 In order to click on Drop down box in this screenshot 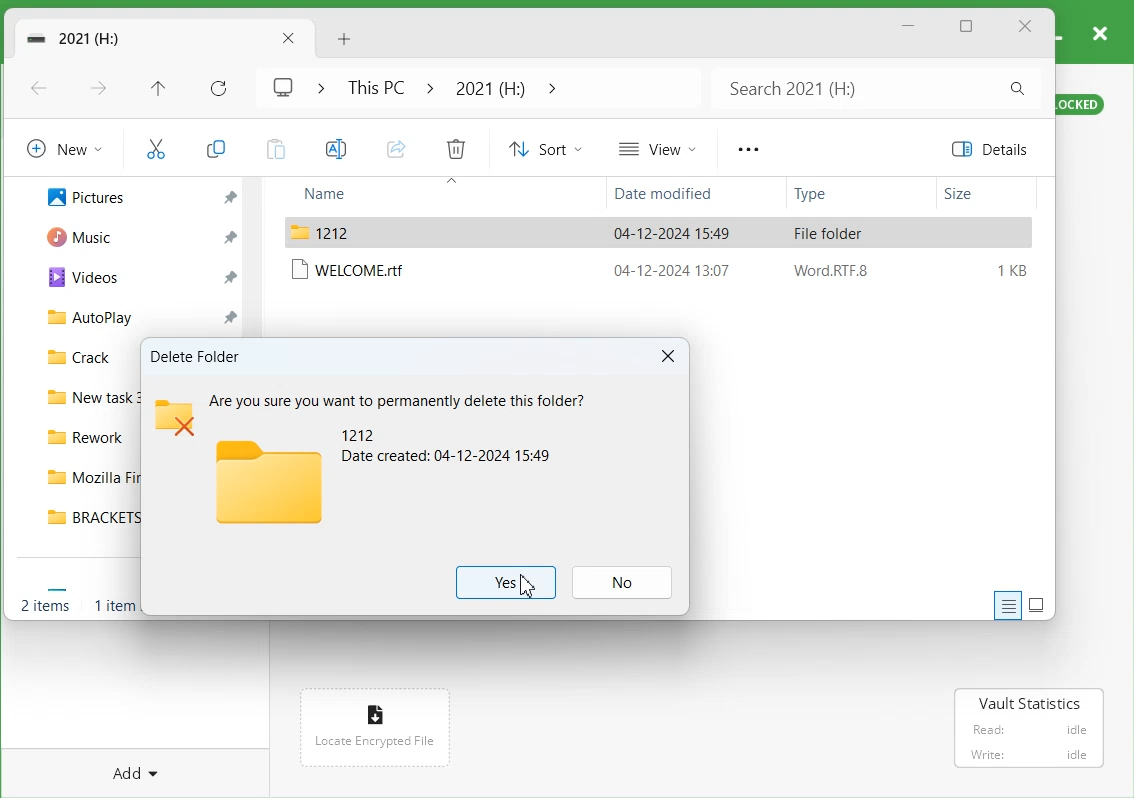, I will do `click(315, 87)`.